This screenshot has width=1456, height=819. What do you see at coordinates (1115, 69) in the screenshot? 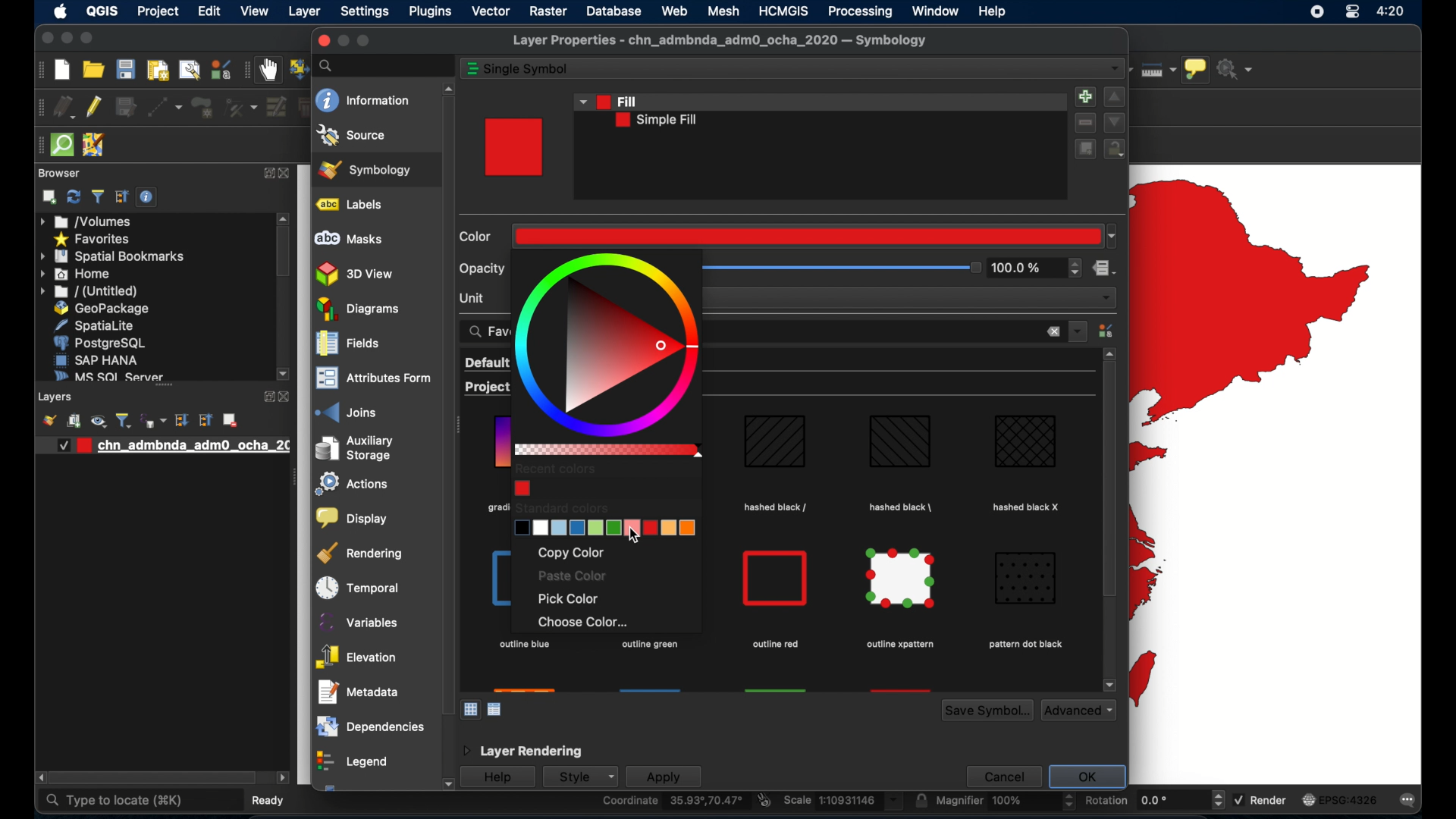
I see `single symbol dropdown menu` at bounding box center [1115, 69].